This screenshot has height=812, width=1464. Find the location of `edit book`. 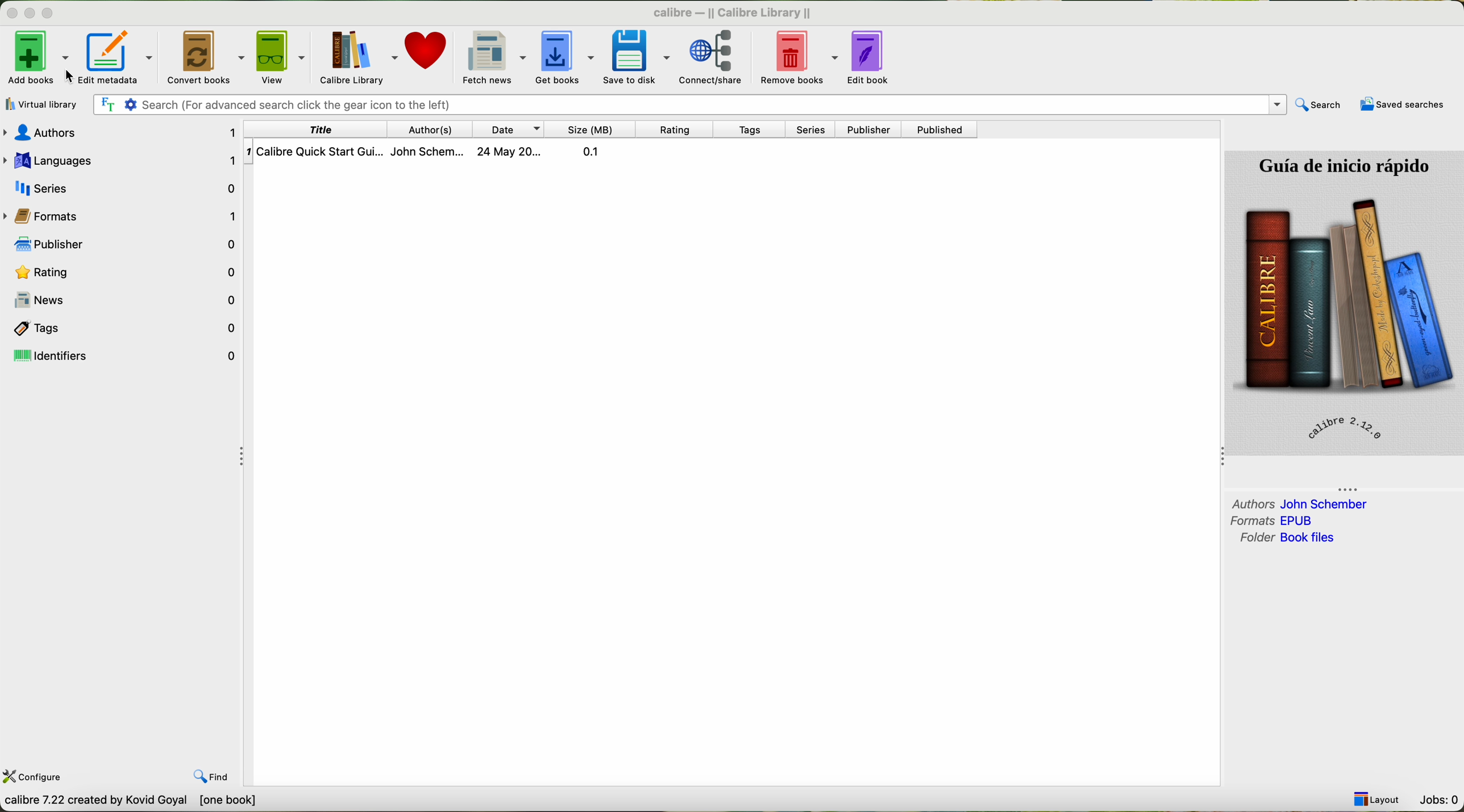

edit book is located at coordinates (873, 57).